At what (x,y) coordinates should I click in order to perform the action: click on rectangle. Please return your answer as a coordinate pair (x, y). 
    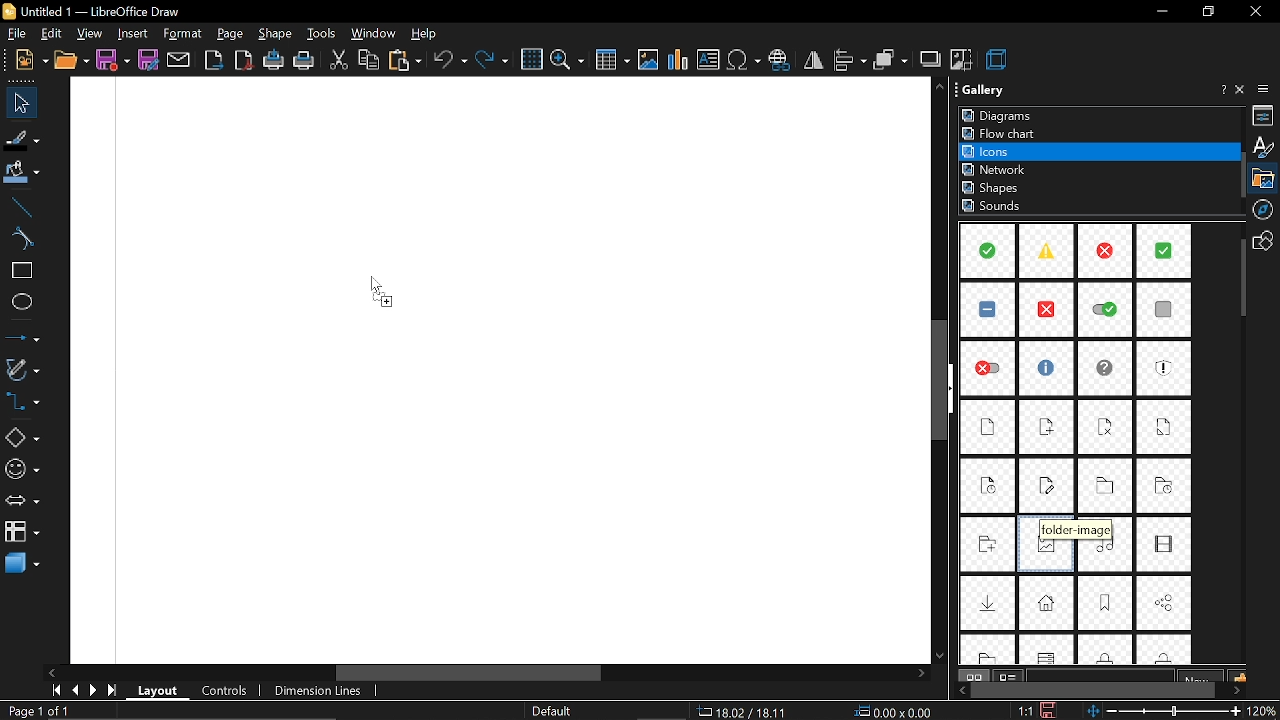
    Looking at the image, I should click on (18, 271).